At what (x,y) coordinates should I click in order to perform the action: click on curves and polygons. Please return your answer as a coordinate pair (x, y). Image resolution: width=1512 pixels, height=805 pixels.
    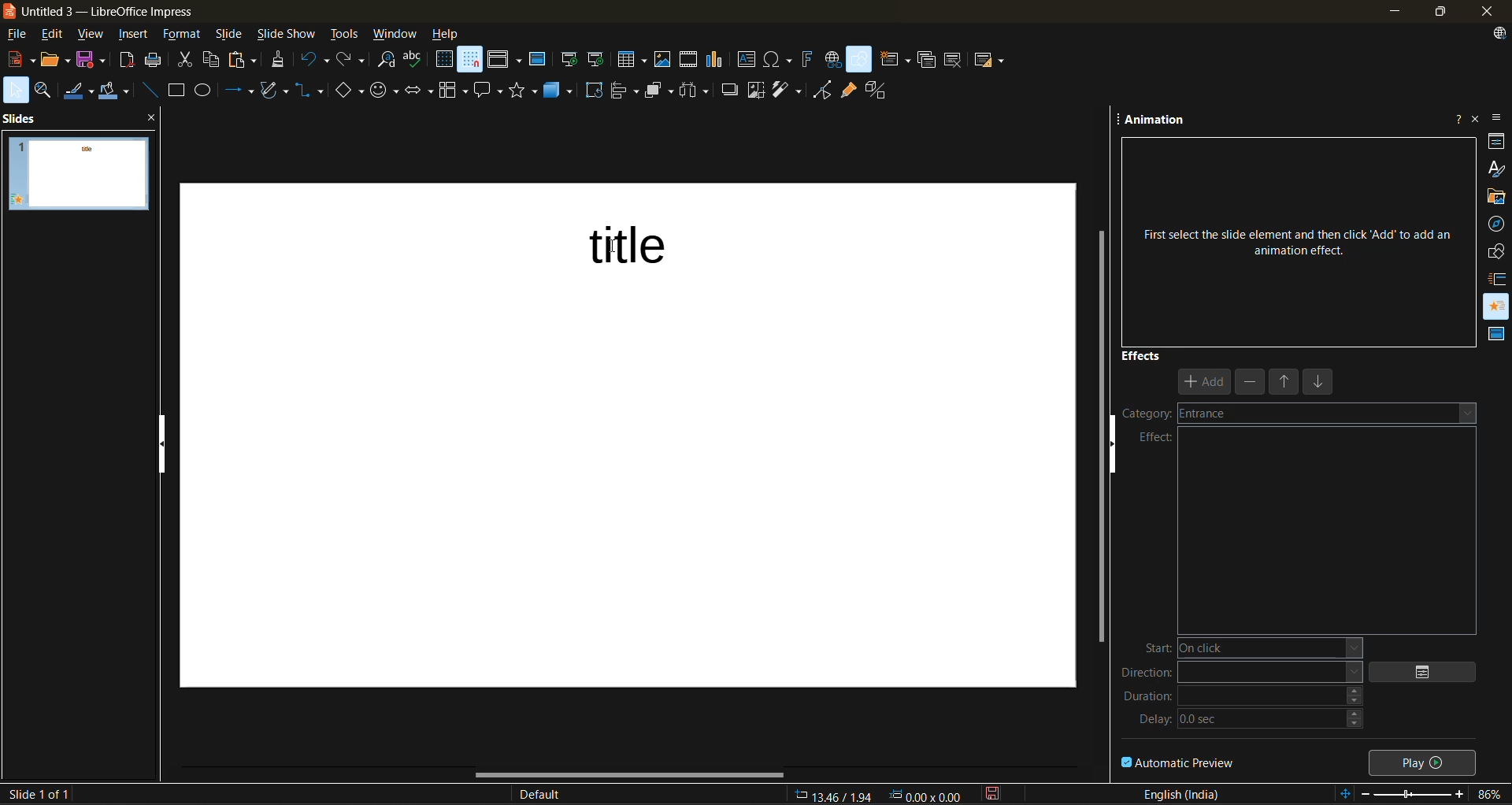
    Looking at the image, I should click on (273, 91).